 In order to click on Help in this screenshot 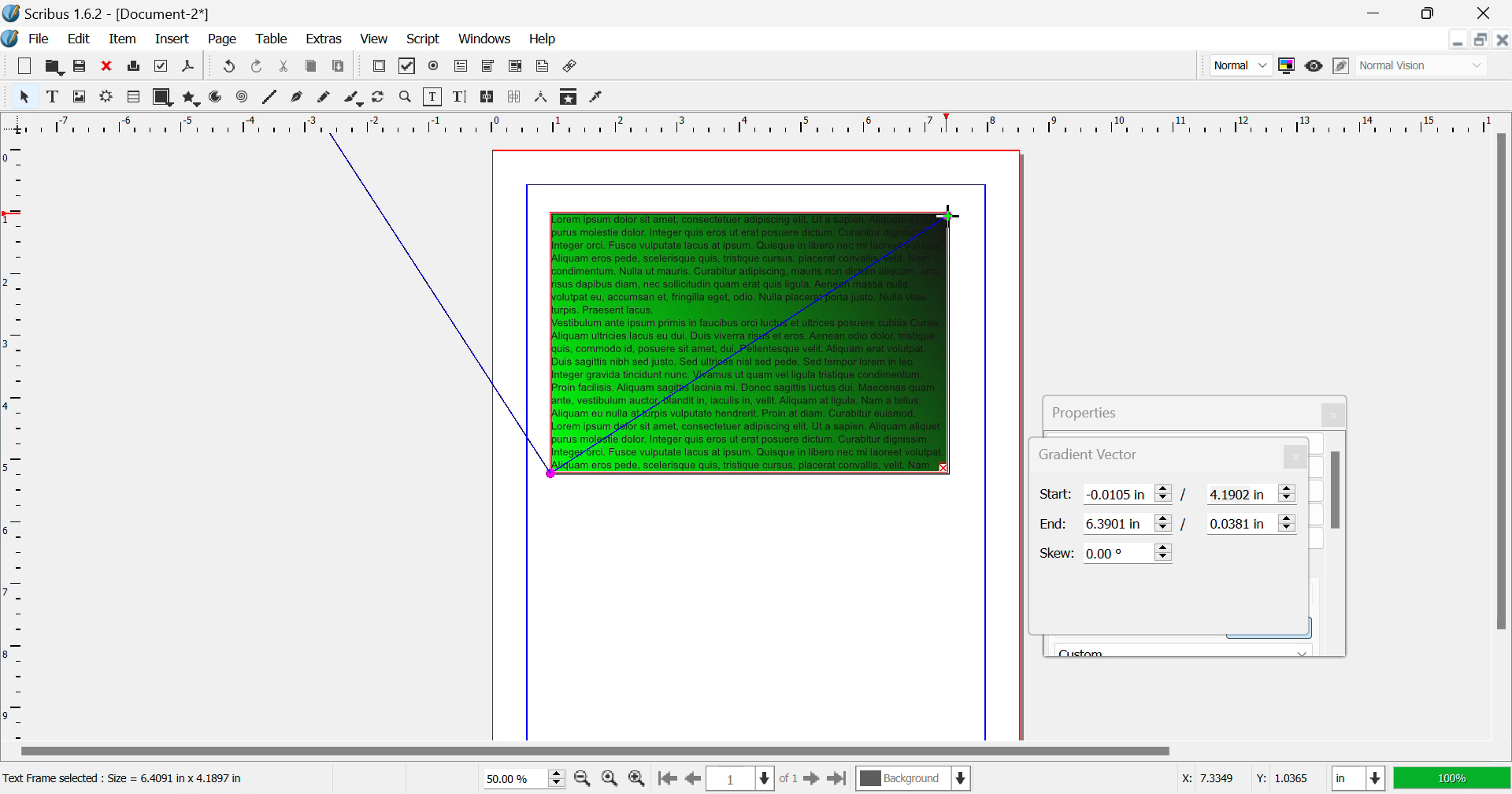, I will do `click(544, 39)`.